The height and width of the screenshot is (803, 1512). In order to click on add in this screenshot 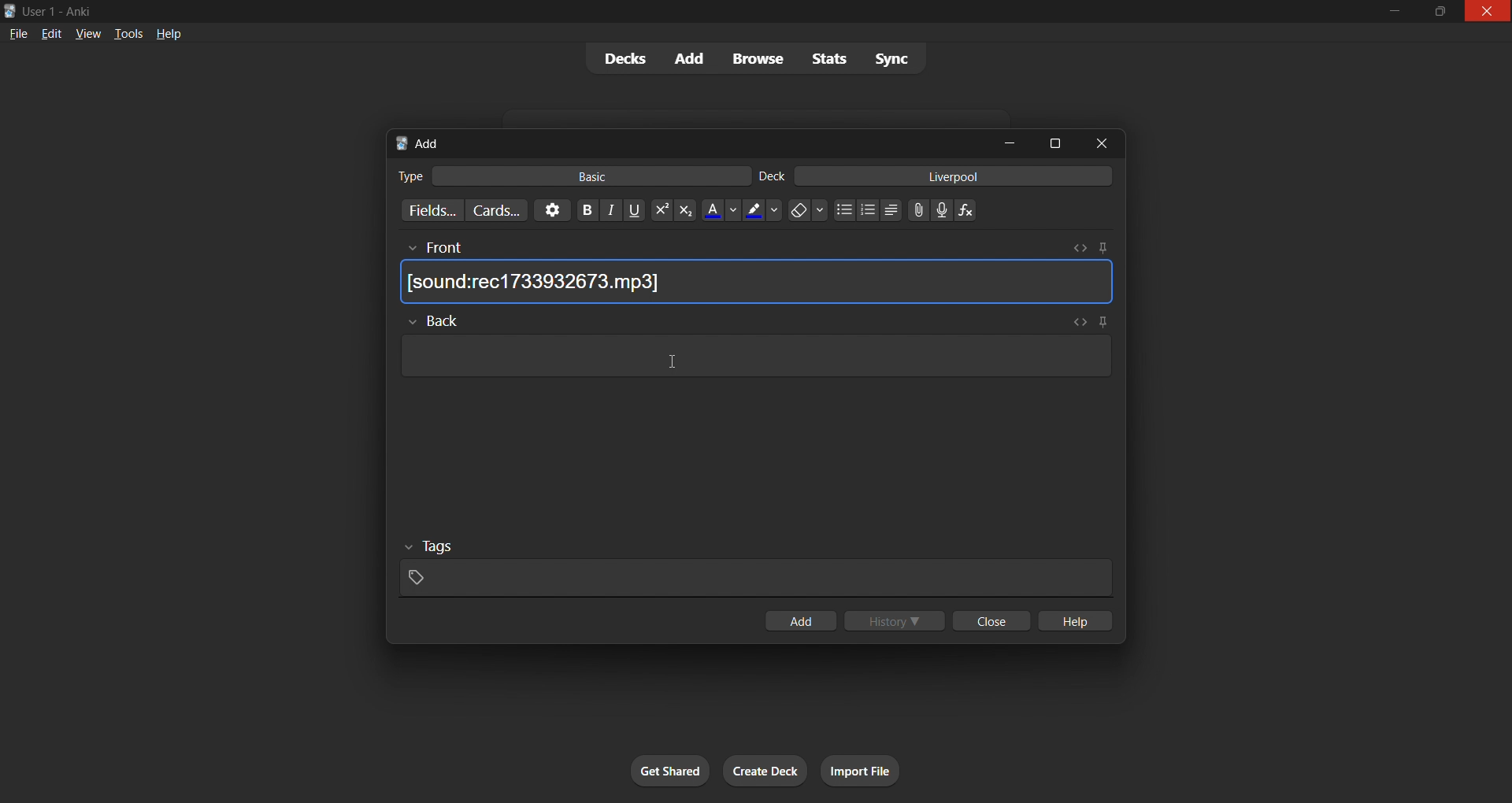, I will do `click(691, 57)`.